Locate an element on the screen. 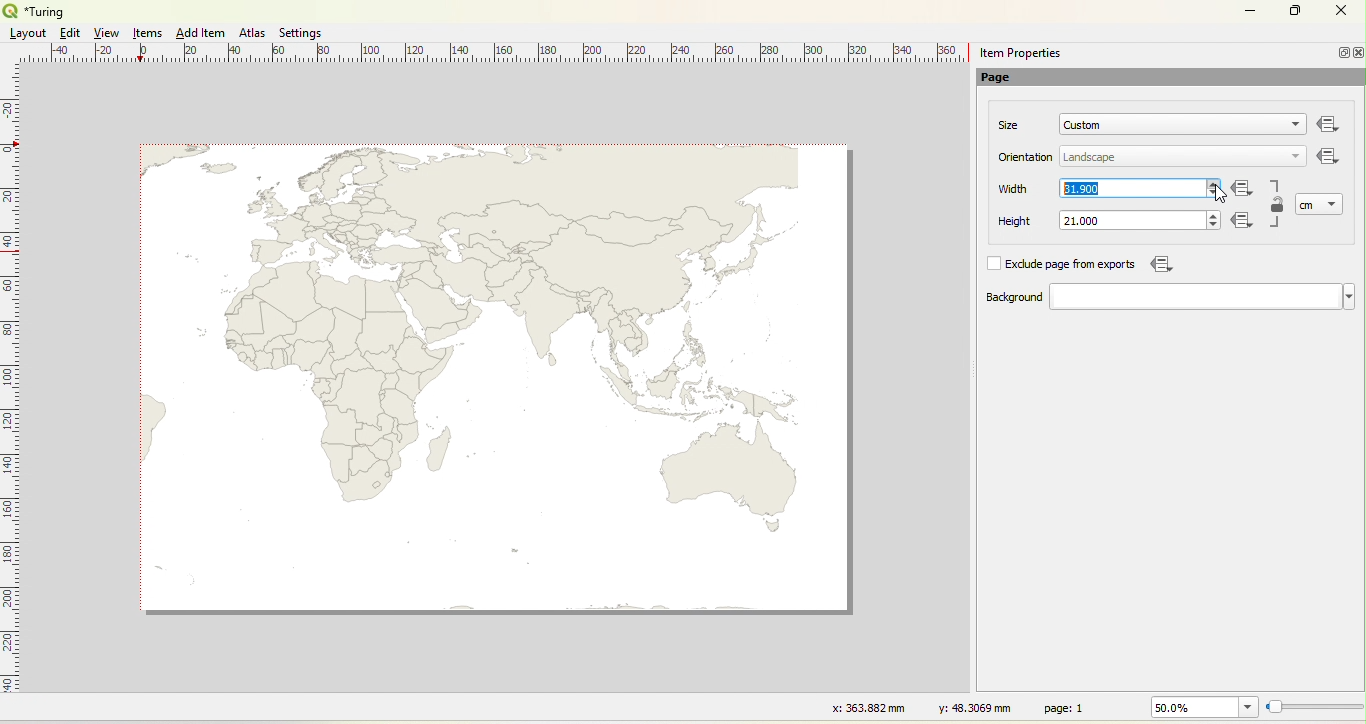  Landscape is located at coordinates (1090, 158).